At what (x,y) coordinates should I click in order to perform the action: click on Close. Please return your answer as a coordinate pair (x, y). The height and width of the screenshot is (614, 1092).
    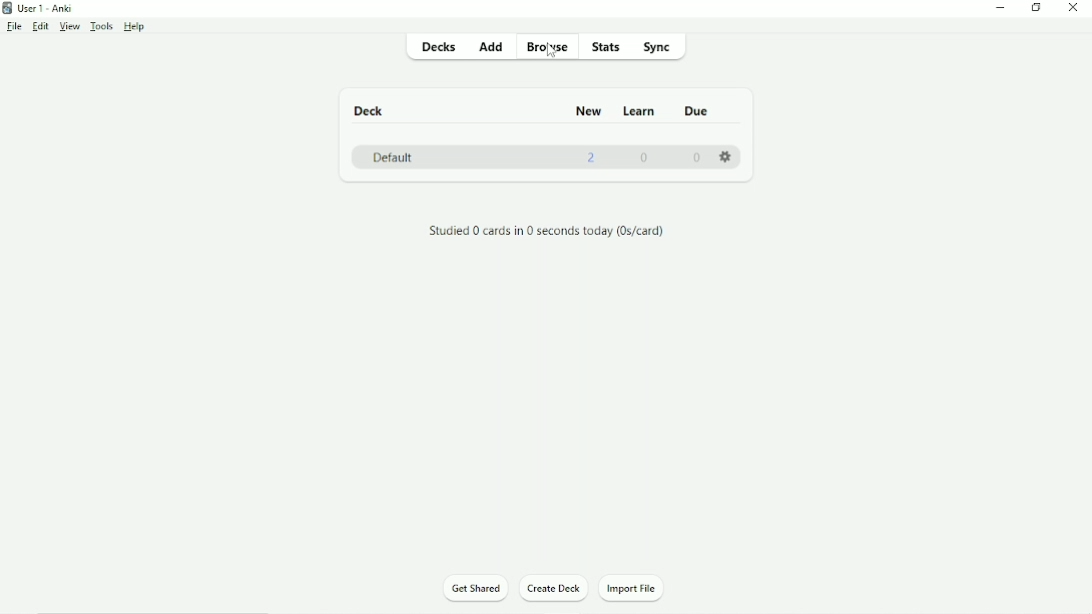
    Looking at the image, I should click on (1074, 9).